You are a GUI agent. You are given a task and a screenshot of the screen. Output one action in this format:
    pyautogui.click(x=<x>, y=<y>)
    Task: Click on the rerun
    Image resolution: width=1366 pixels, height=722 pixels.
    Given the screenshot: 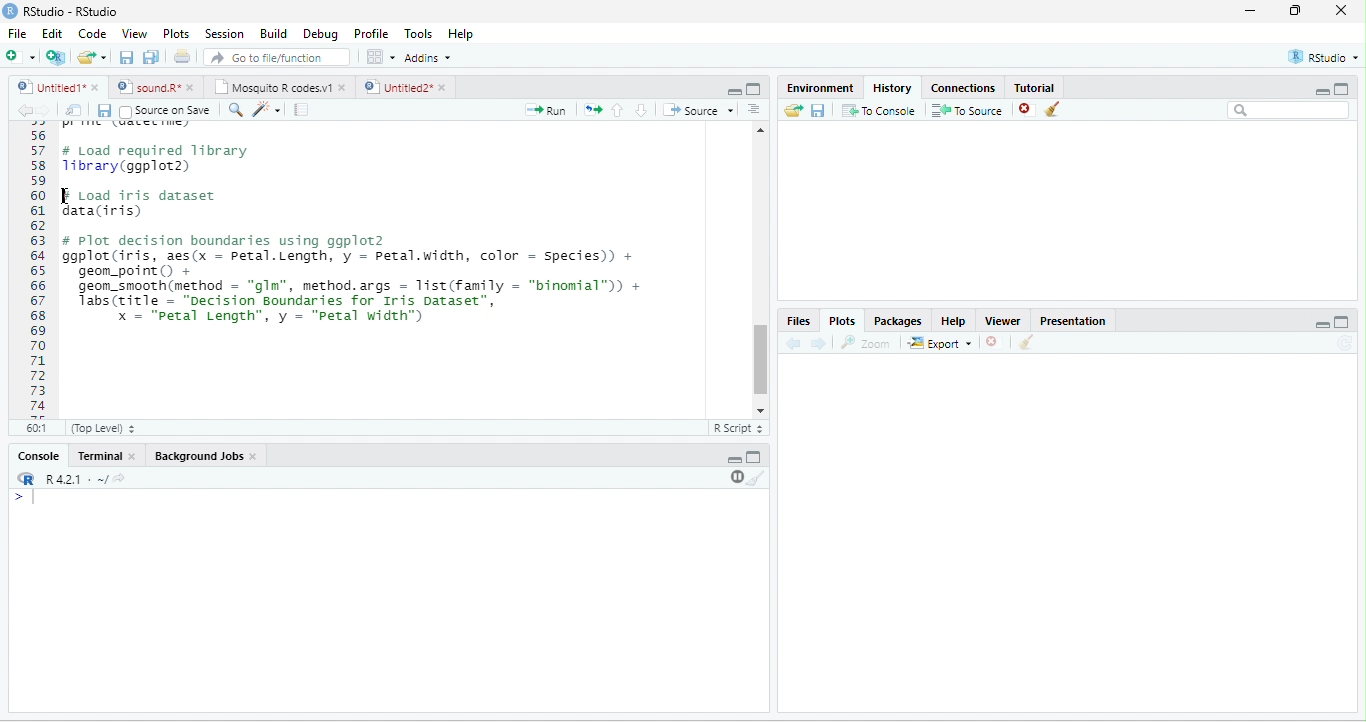 What is the action you would take?
    pyautogui.click(x=592, y=110)
    